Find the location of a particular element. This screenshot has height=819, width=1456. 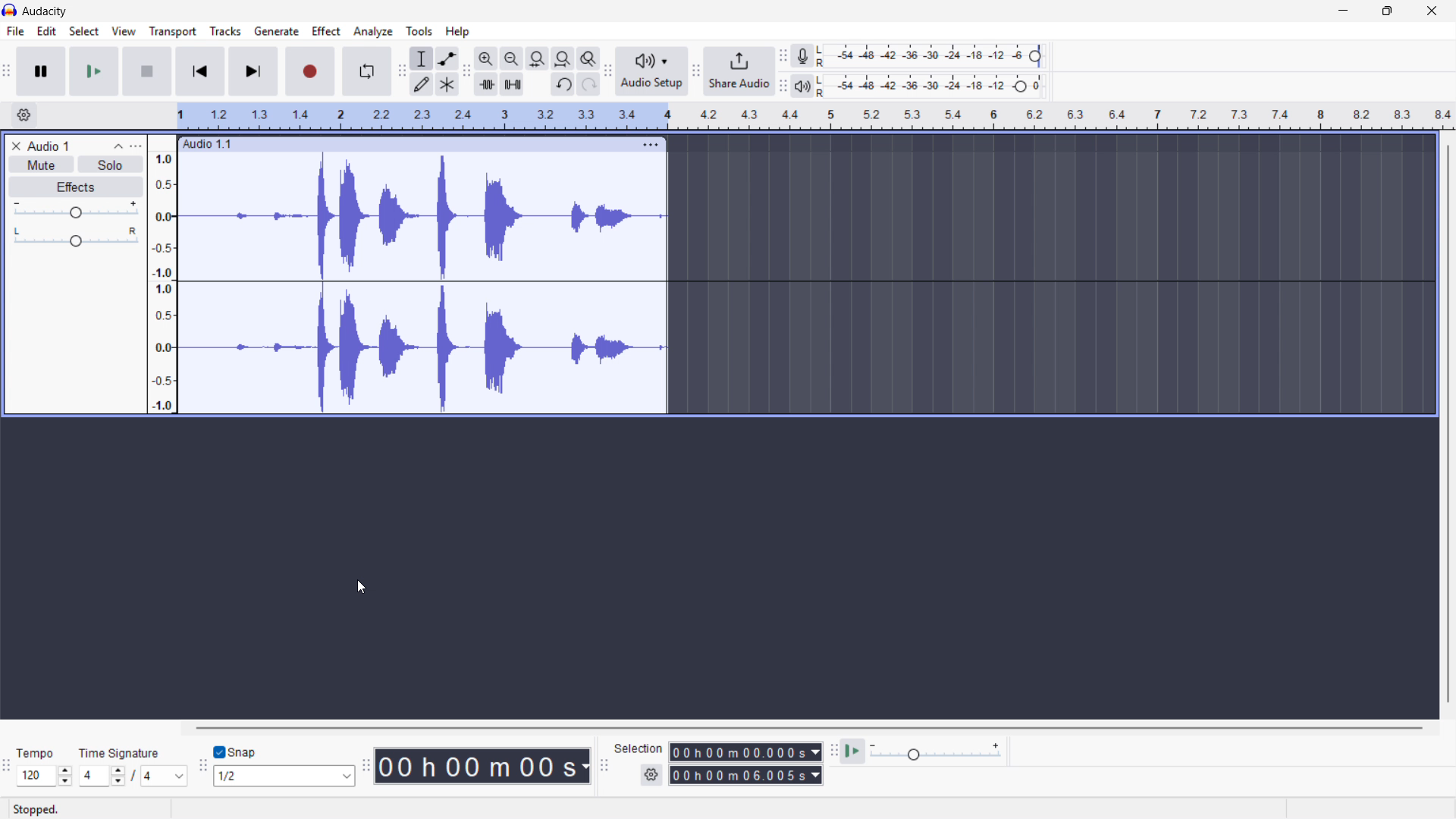

Mute is located at coordinates (42, 165).